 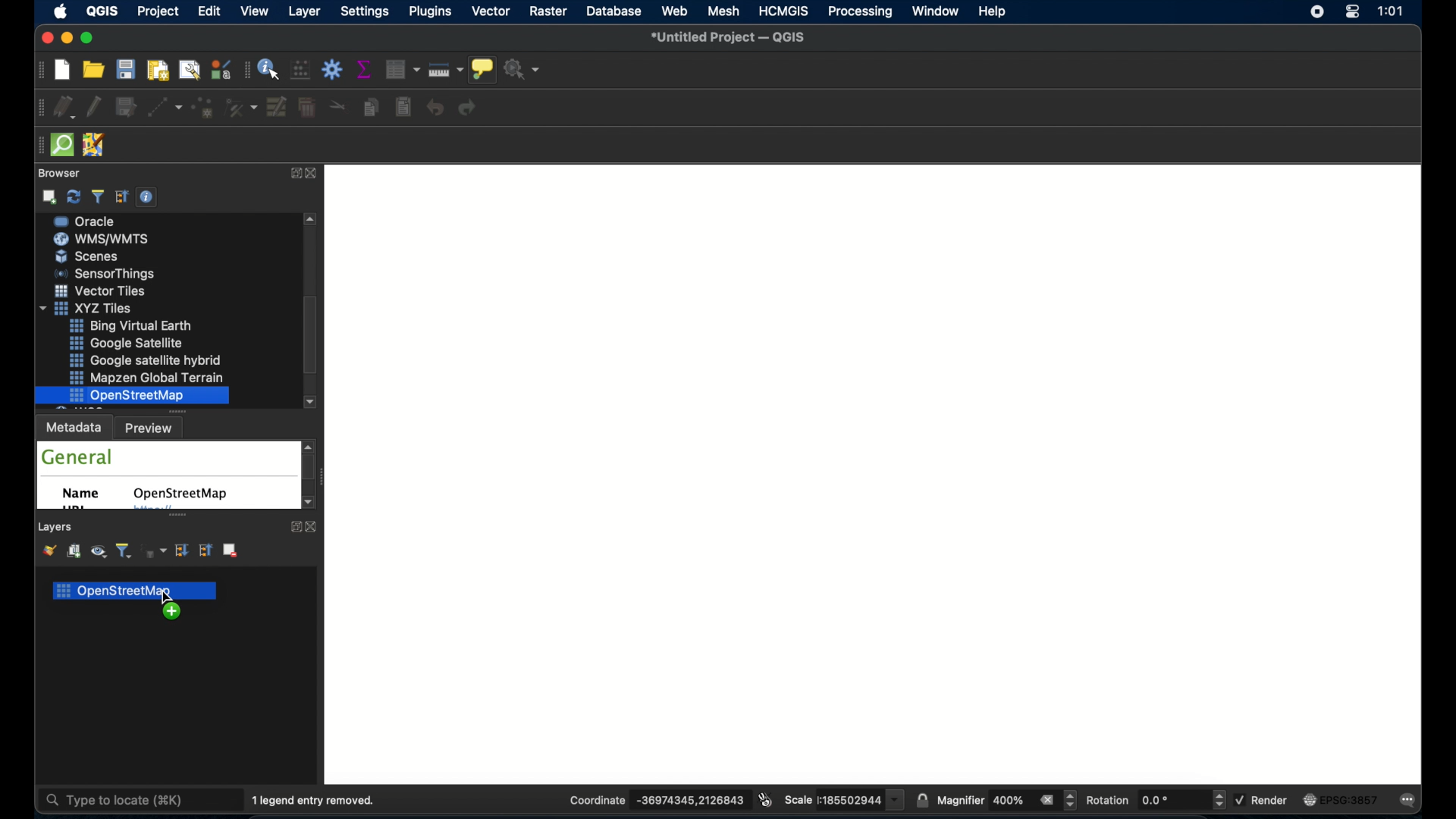 I want to click on no action selected, so click(x=523, y=71).